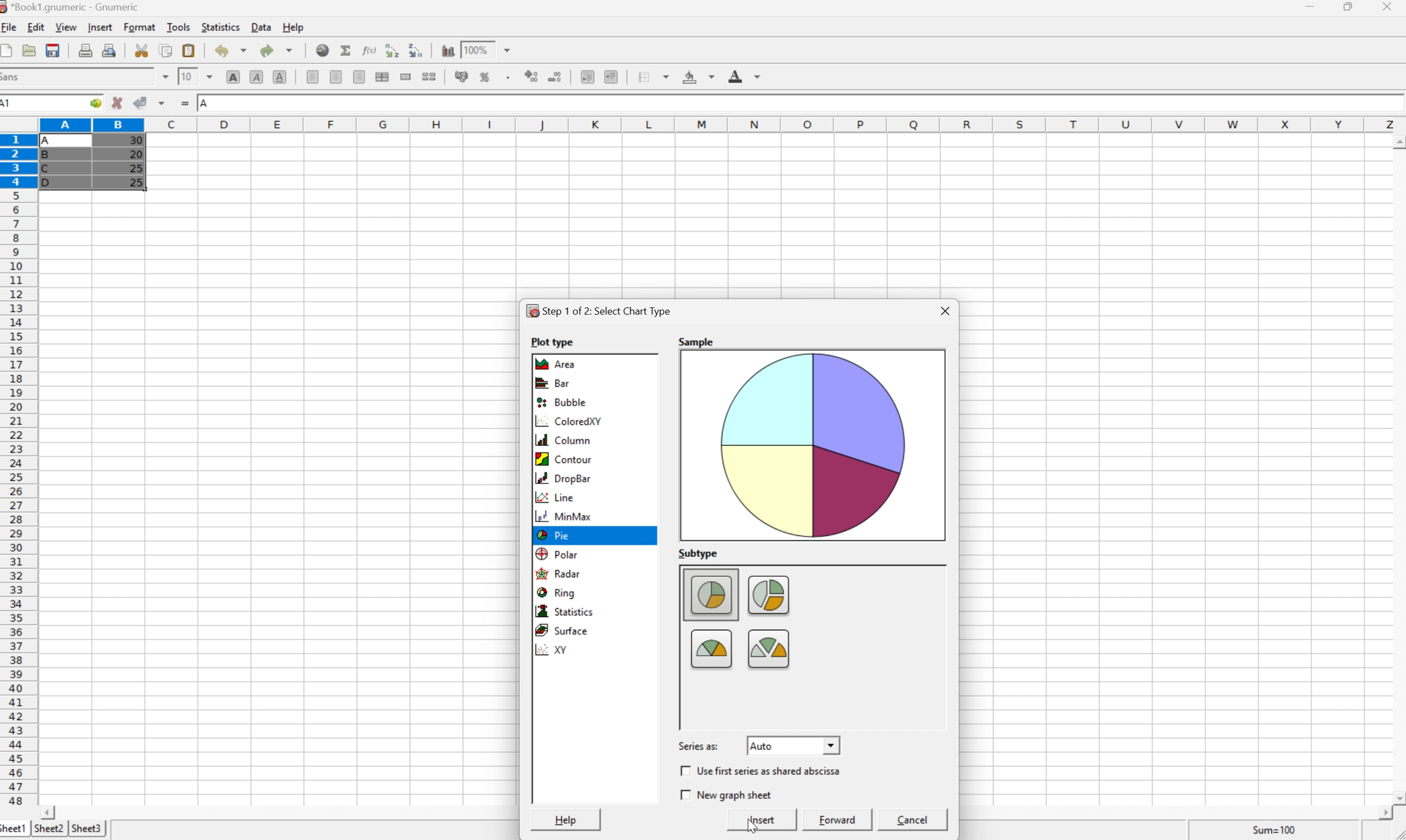  What do you see at coordinates (939, 648) in the screenshot?
I see `Scroll Bar` at bounding box center [939, 648].